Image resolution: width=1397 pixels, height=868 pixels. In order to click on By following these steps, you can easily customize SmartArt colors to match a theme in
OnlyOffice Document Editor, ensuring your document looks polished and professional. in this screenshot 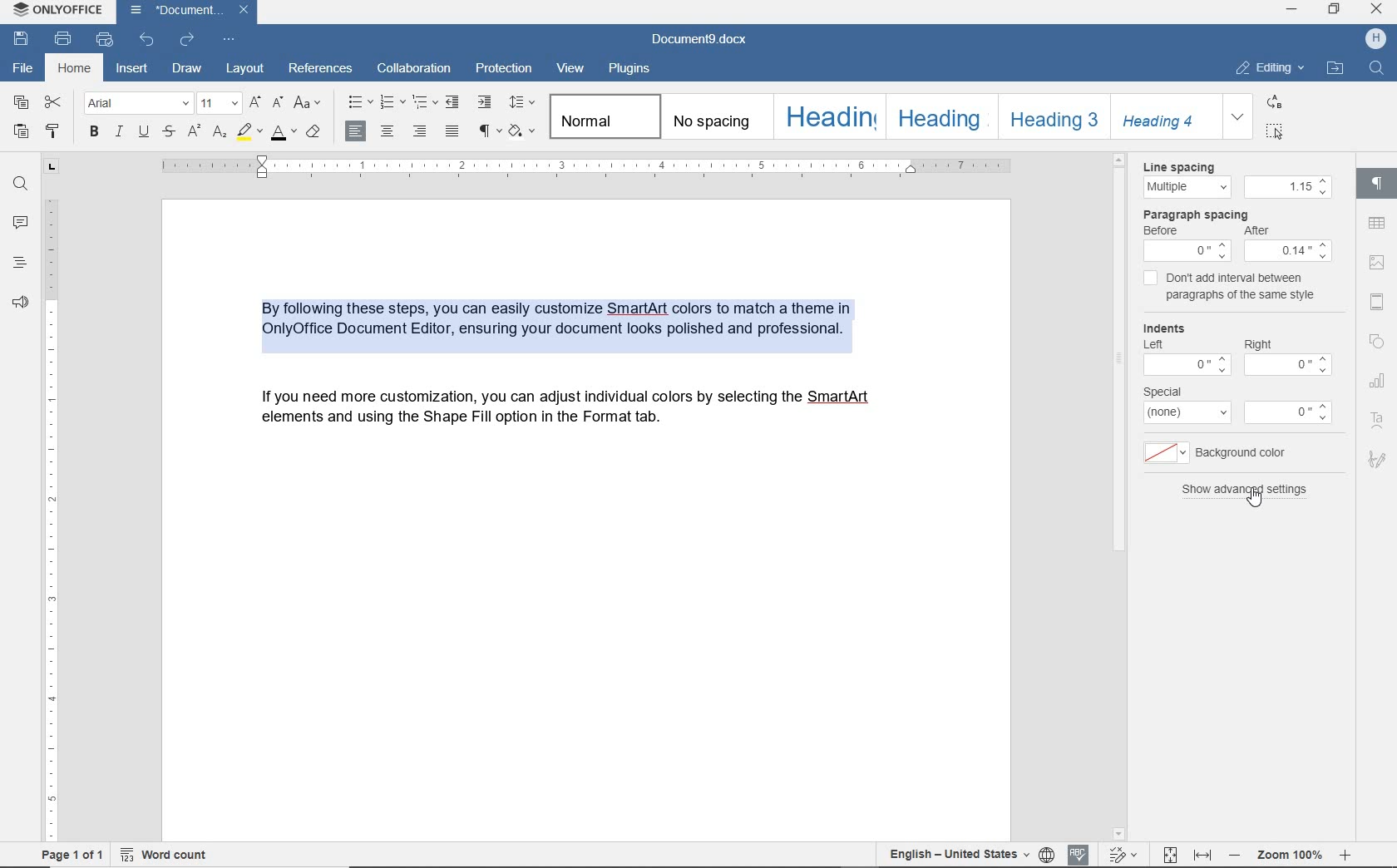, I will do `click(576, 321)`.